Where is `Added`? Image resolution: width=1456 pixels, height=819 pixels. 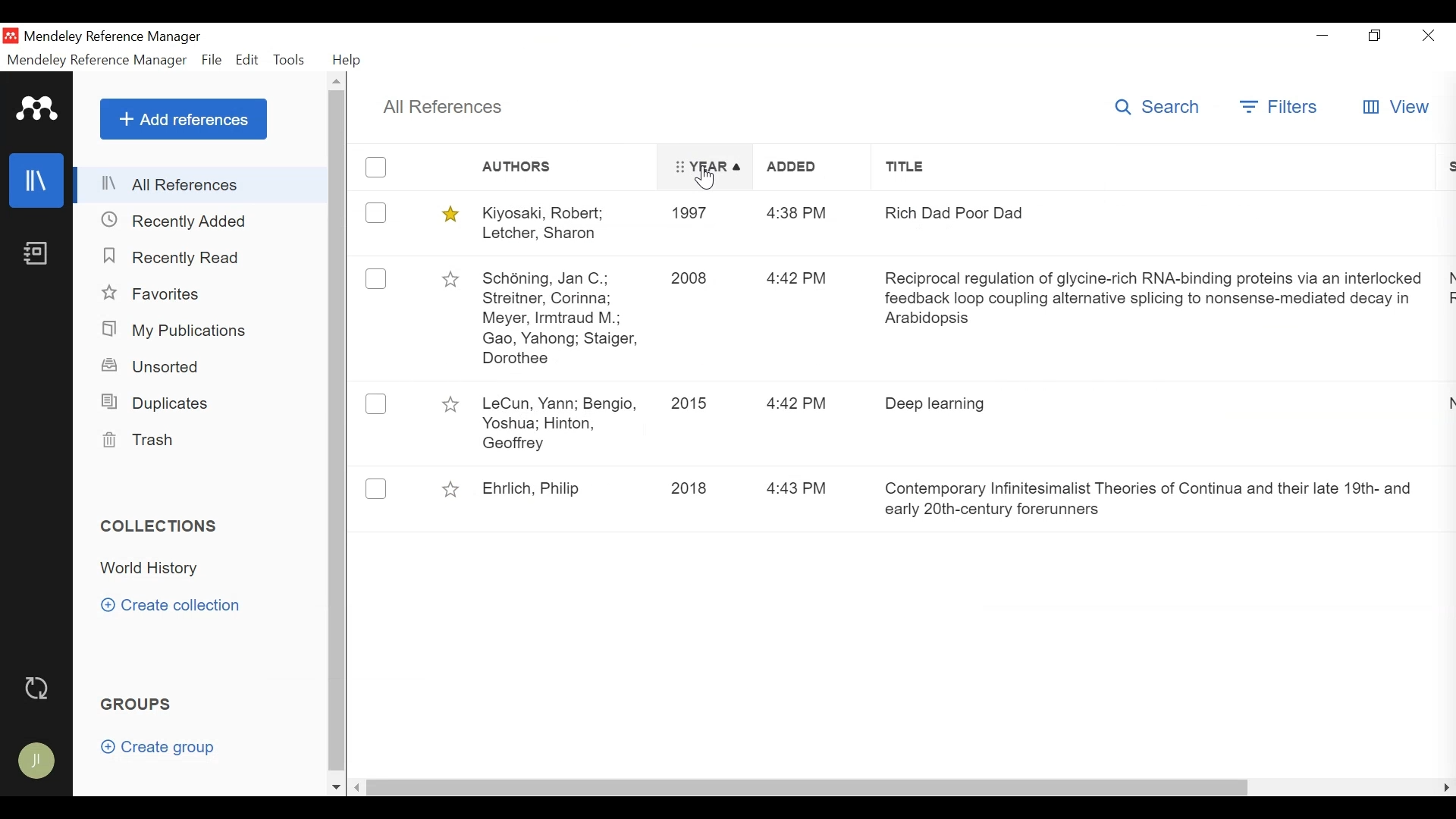 Added is located at coordinates (790, 168).